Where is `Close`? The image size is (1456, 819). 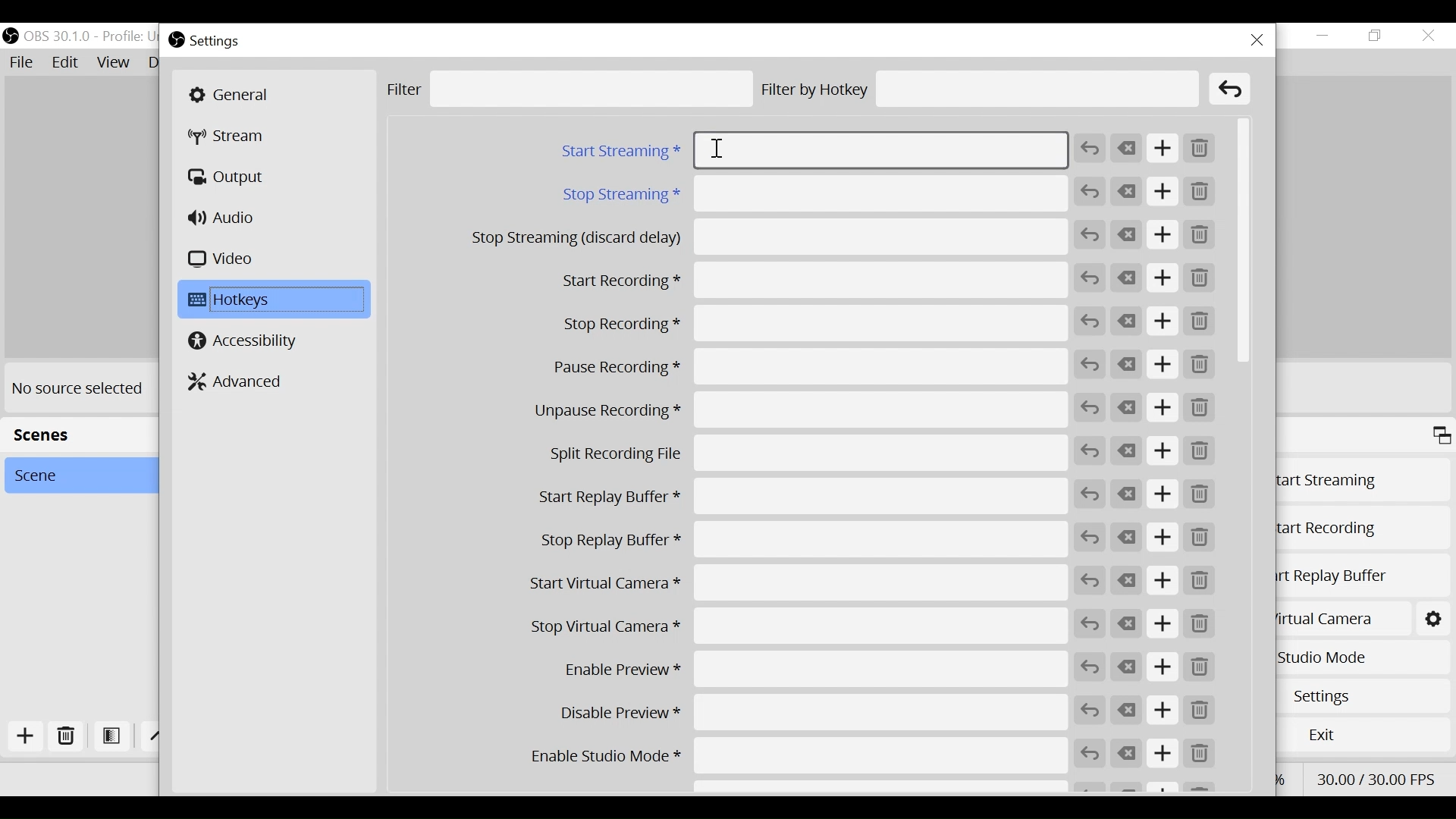 Close is located at coordinates (1427, 36).